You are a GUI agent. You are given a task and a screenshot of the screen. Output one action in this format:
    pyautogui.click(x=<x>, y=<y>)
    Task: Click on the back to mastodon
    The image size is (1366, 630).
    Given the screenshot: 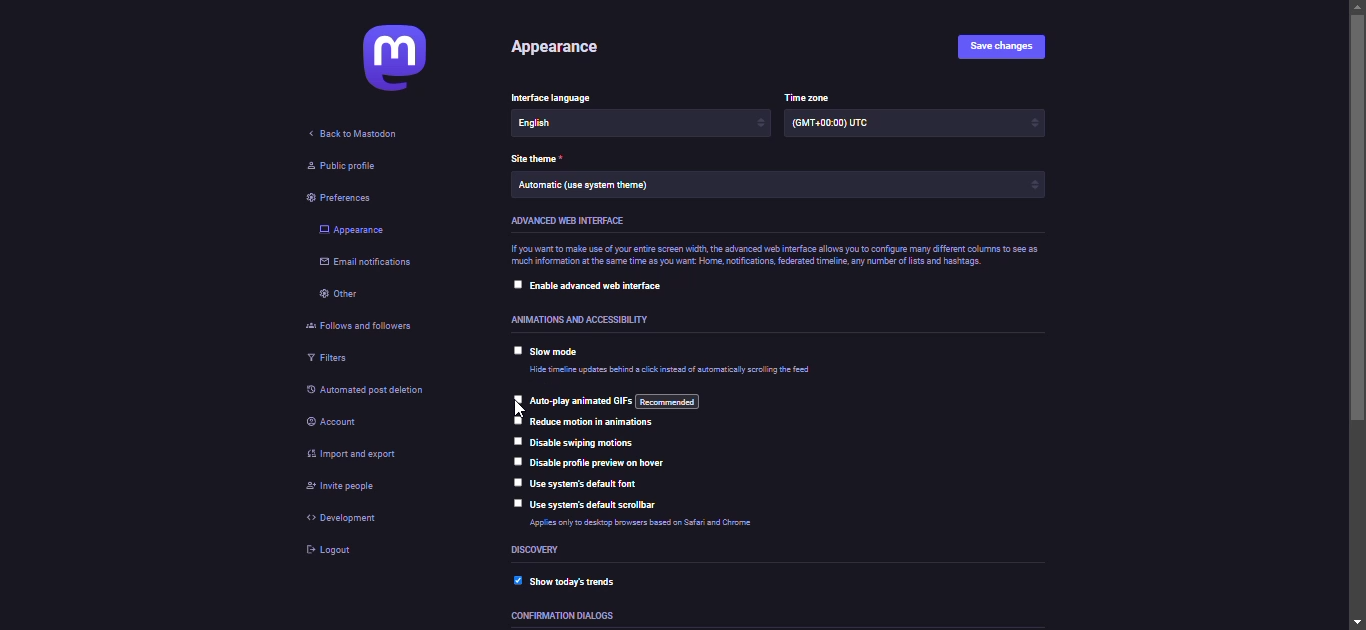 What is the action you would take?
    pyautogui.click(x=351, y=135)
    